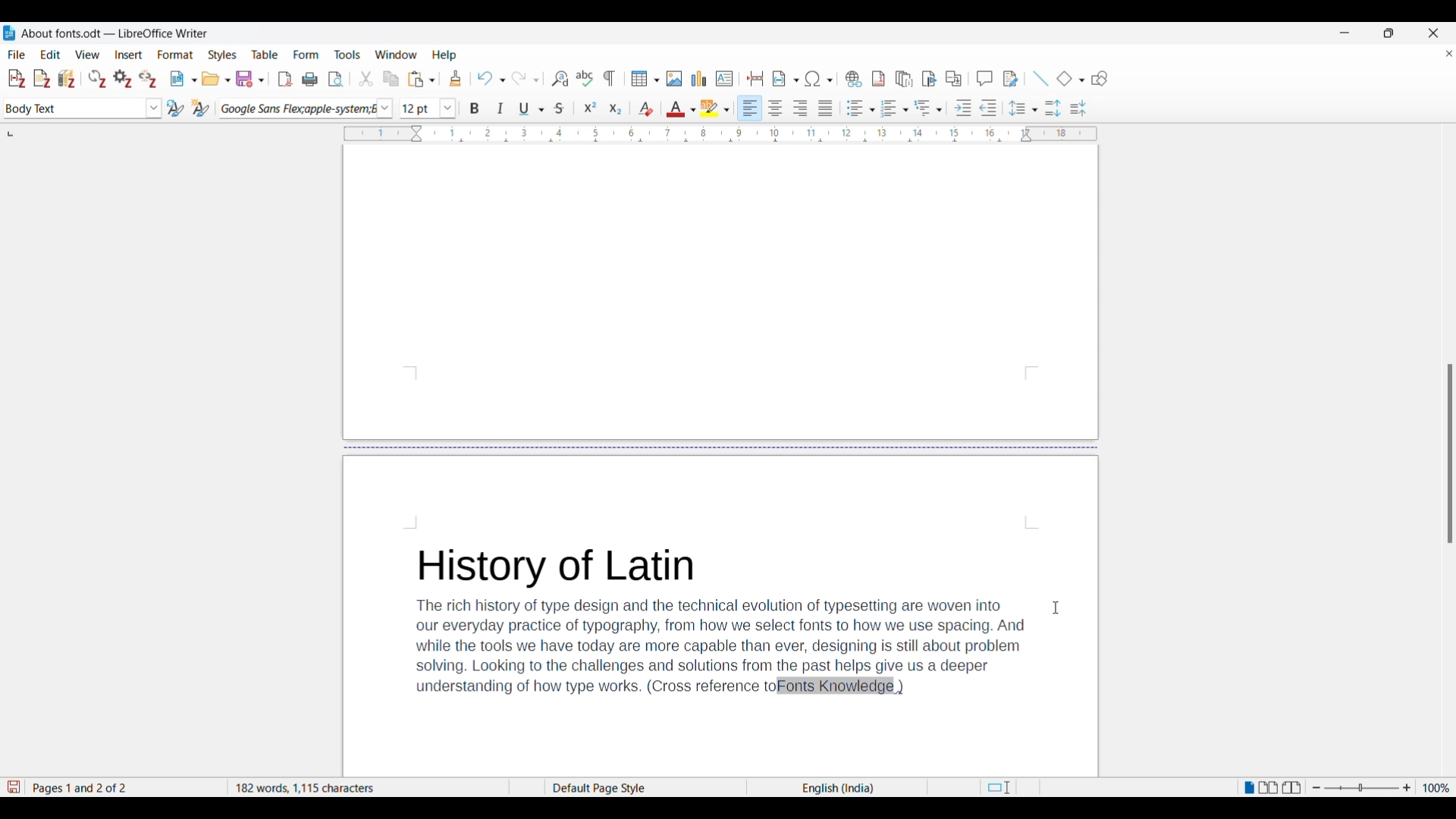 The width and height of the screenshot is (1456, 819). I want to click on Add note, so click(42, 79).